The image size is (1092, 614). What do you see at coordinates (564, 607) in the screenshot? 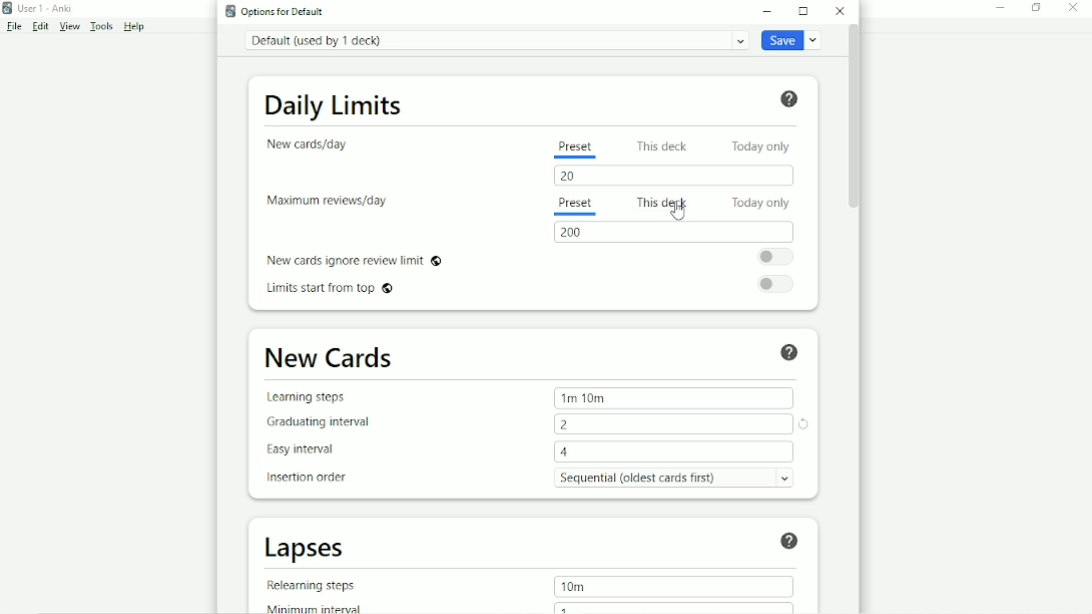
I see `1` at bounding box center [564, 607].